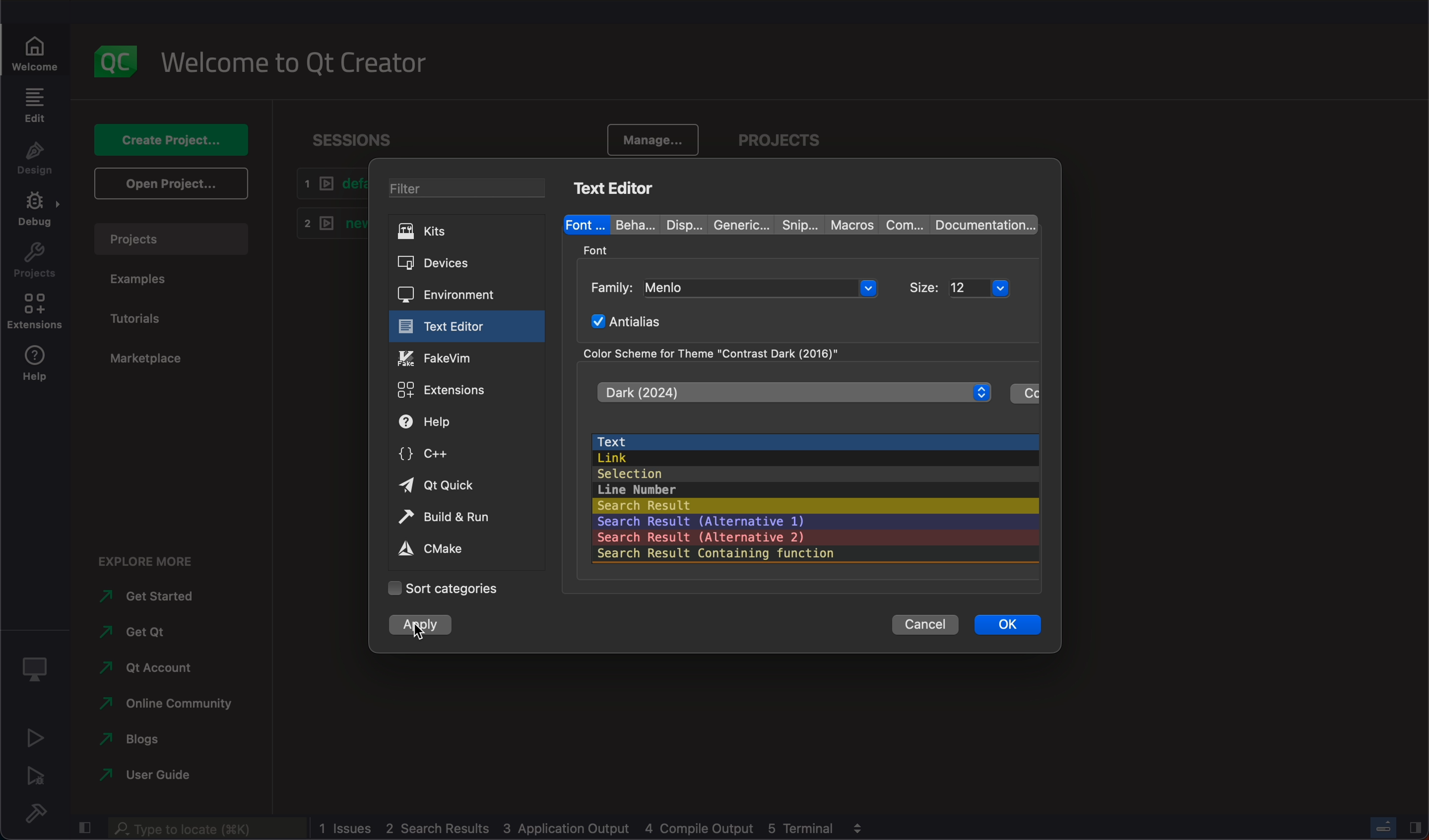 The height and width of the screenshot is (840, 1429). I want to click on default, so click(328, 184).